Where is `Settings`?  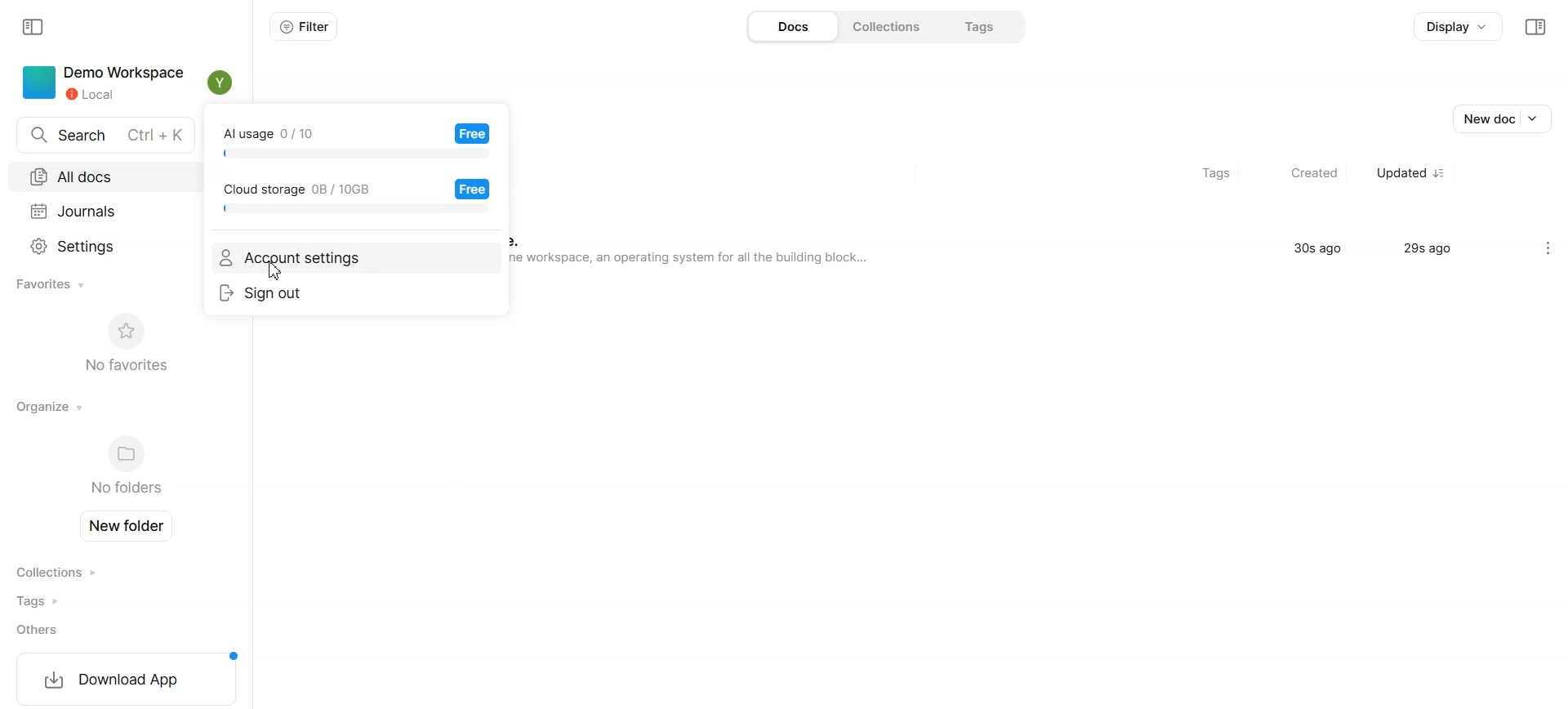
Settings is located at coordinates (105, 244).